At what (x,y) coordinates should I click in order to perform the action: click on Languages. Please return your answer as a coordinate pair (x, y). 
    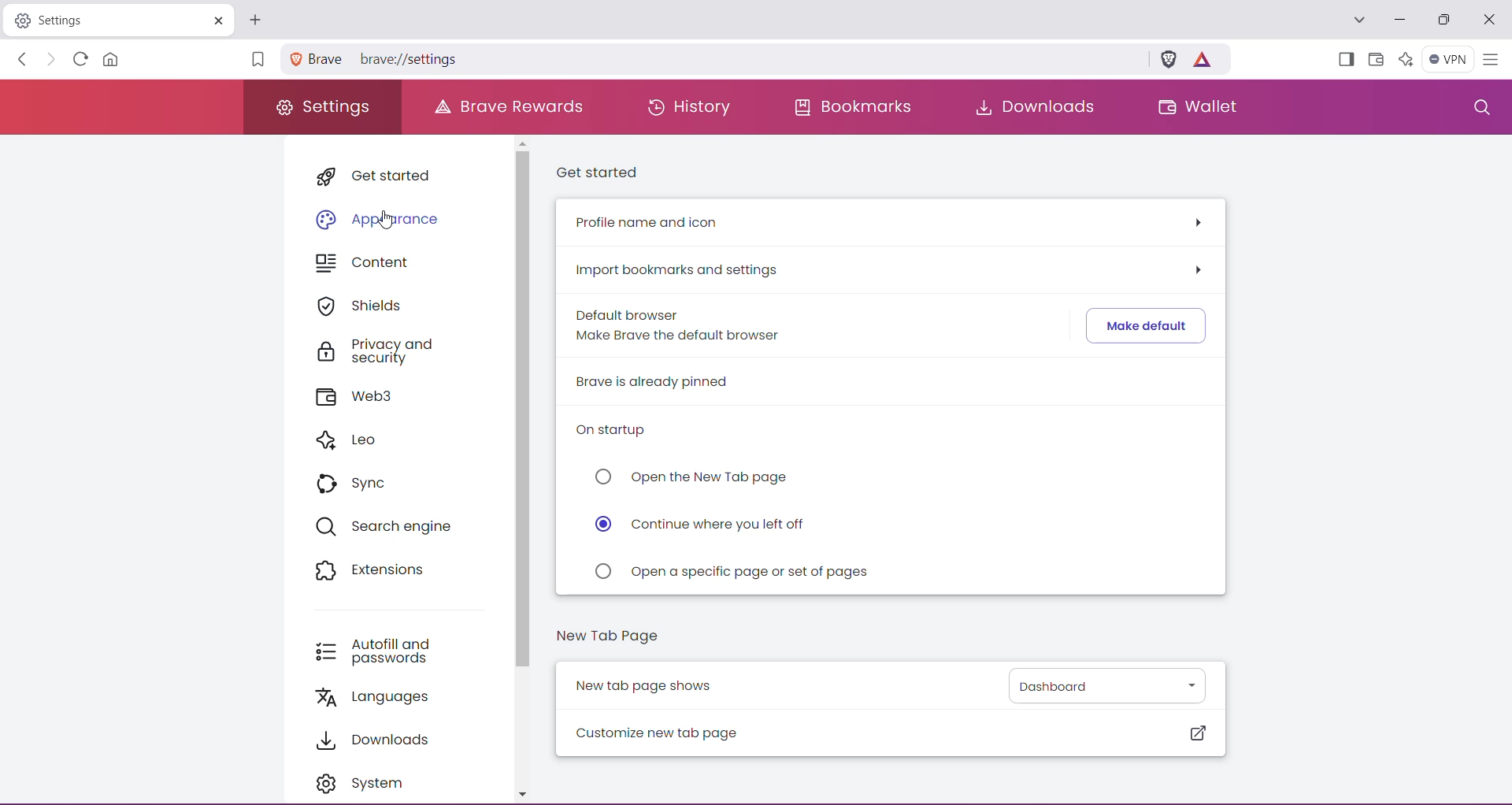
    Looking at the image, I should click on (374, 697).